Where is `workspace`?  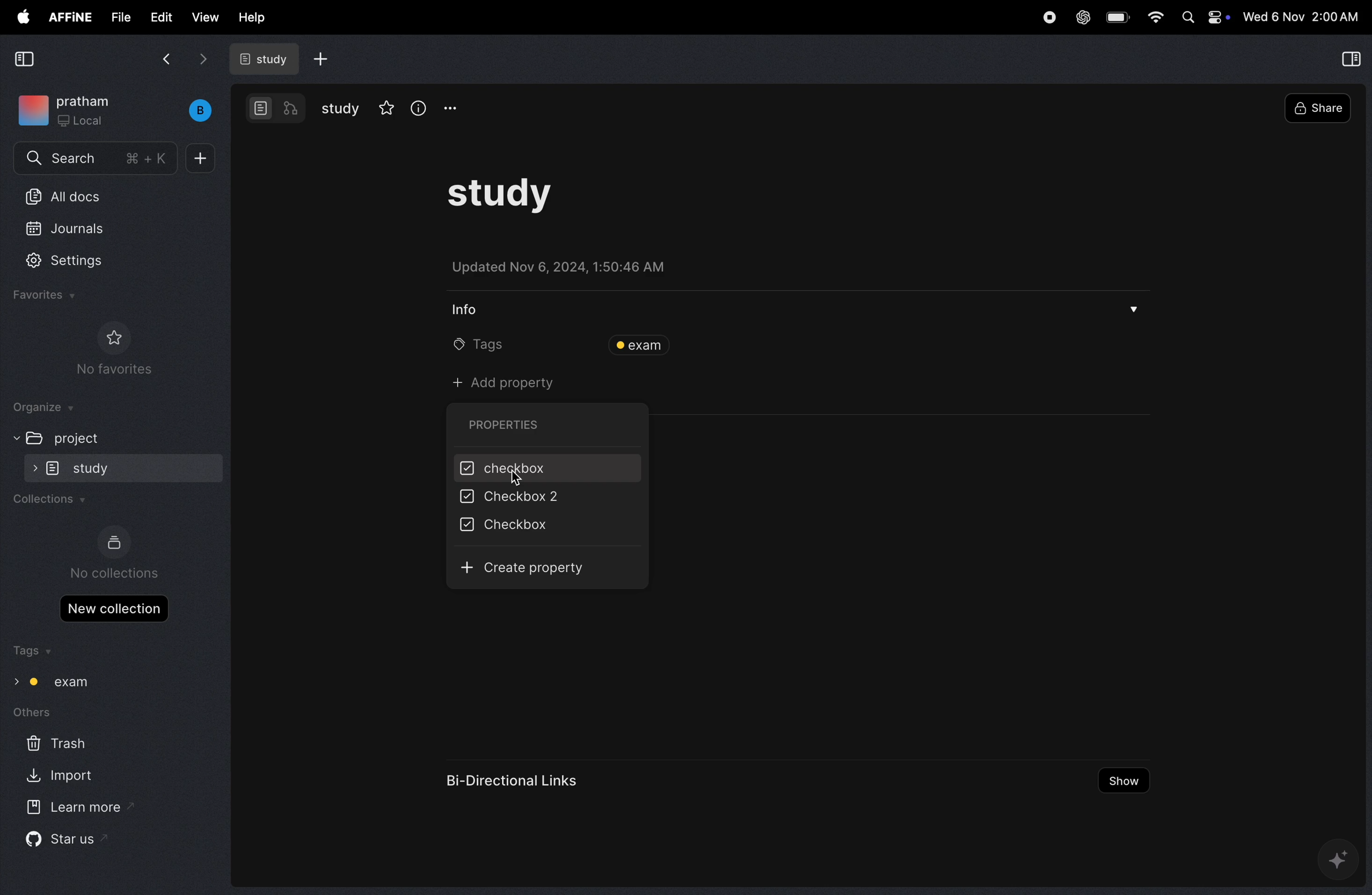 workspace is located at coordinates (79, 112).